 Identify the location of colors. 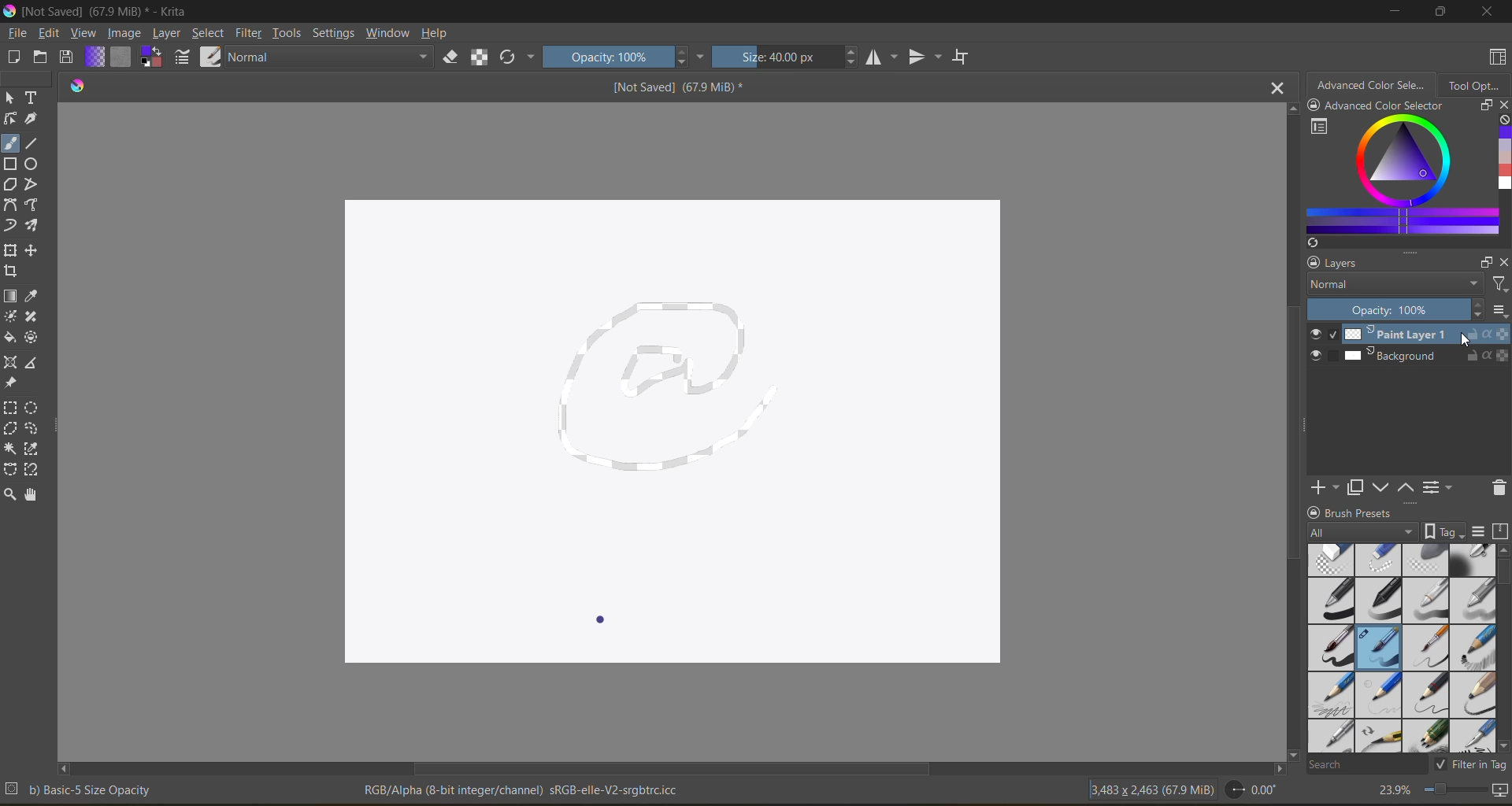
(1503, 160).